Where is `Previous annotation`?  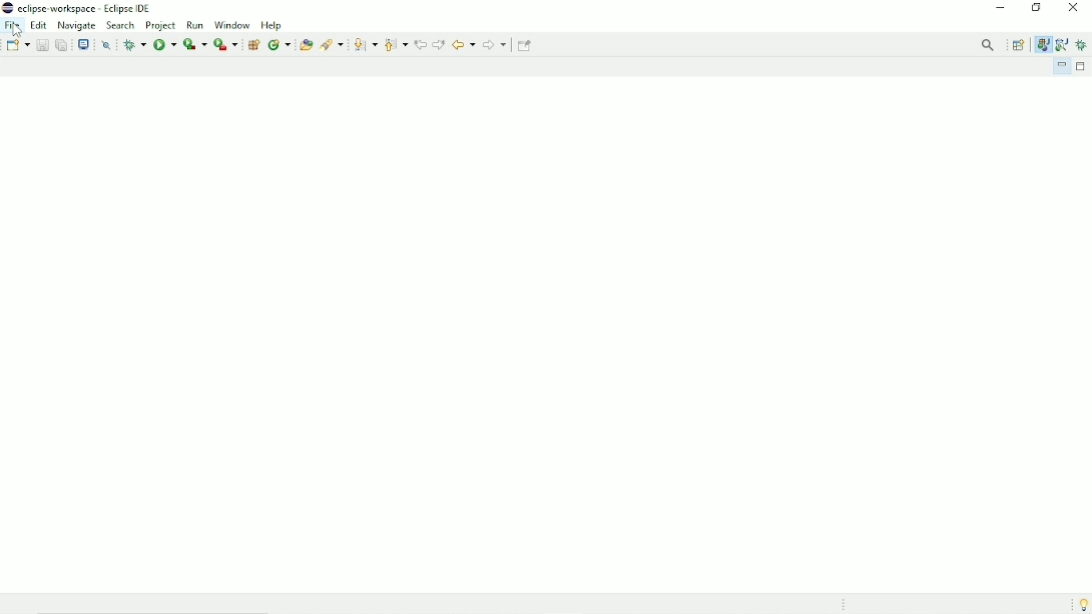 Previous annotation is located at coordinates (395, 44).